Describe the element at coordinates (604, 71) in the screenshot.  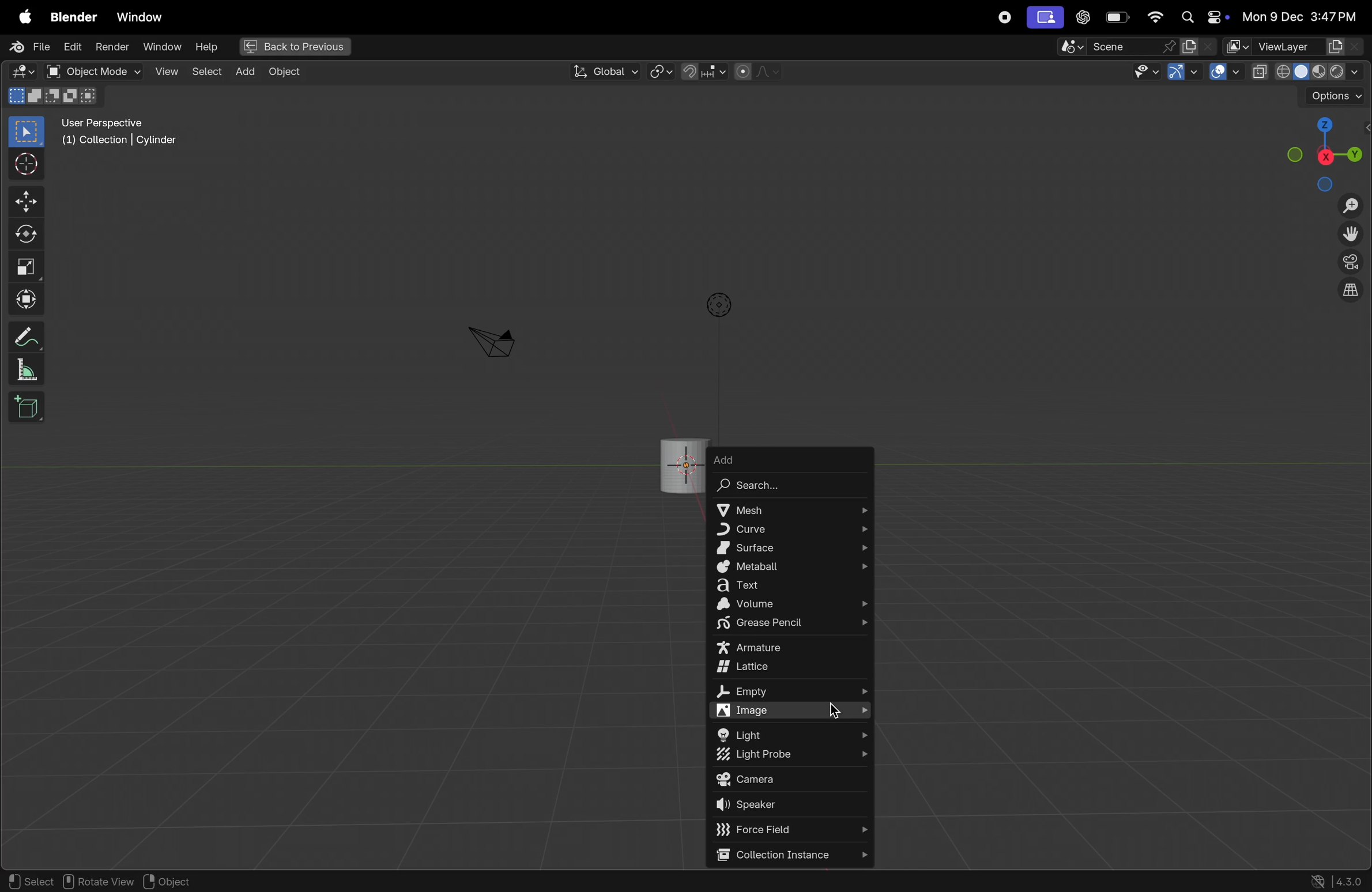
I see `global` at that location.